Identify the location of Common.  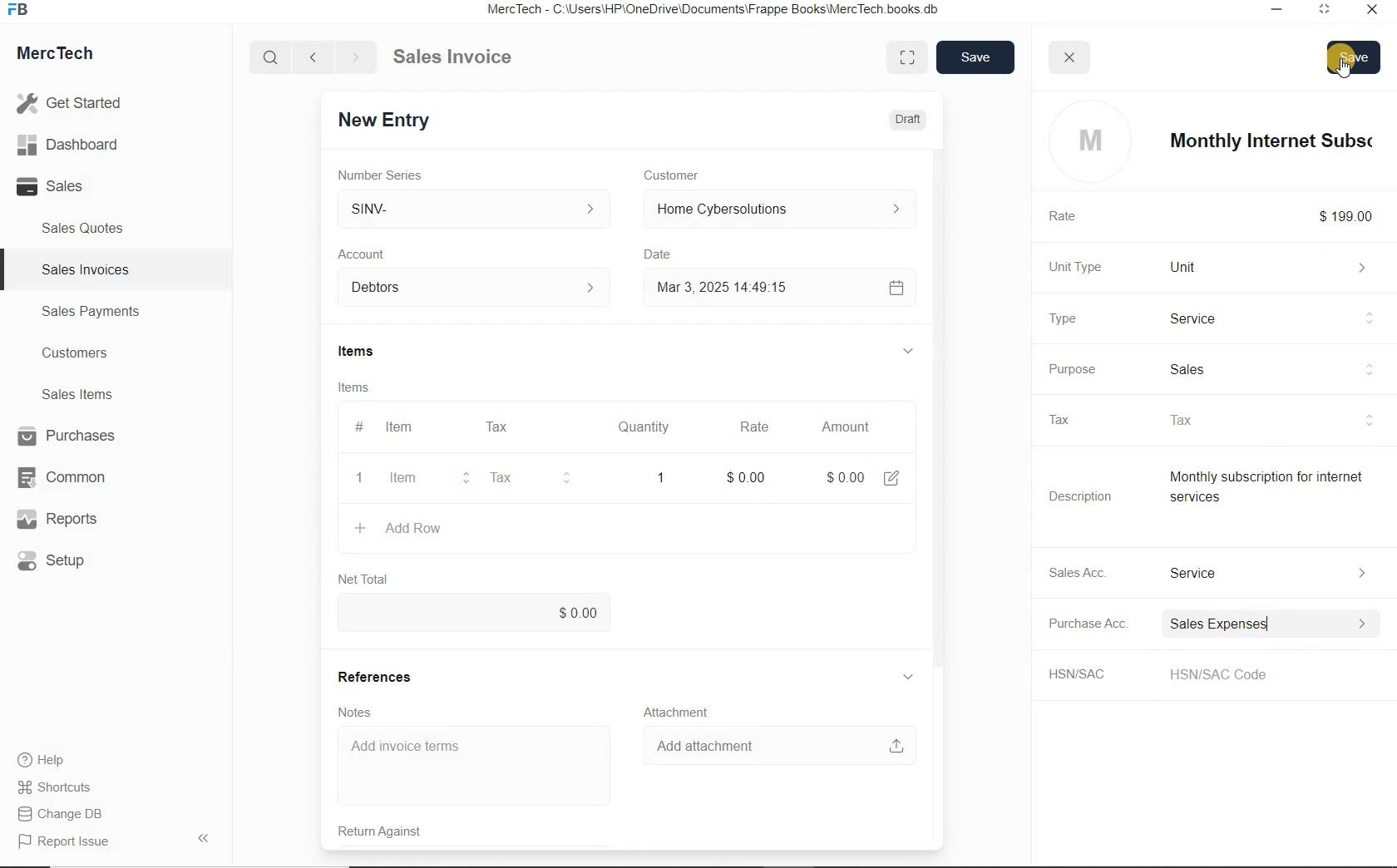
(69, 476).